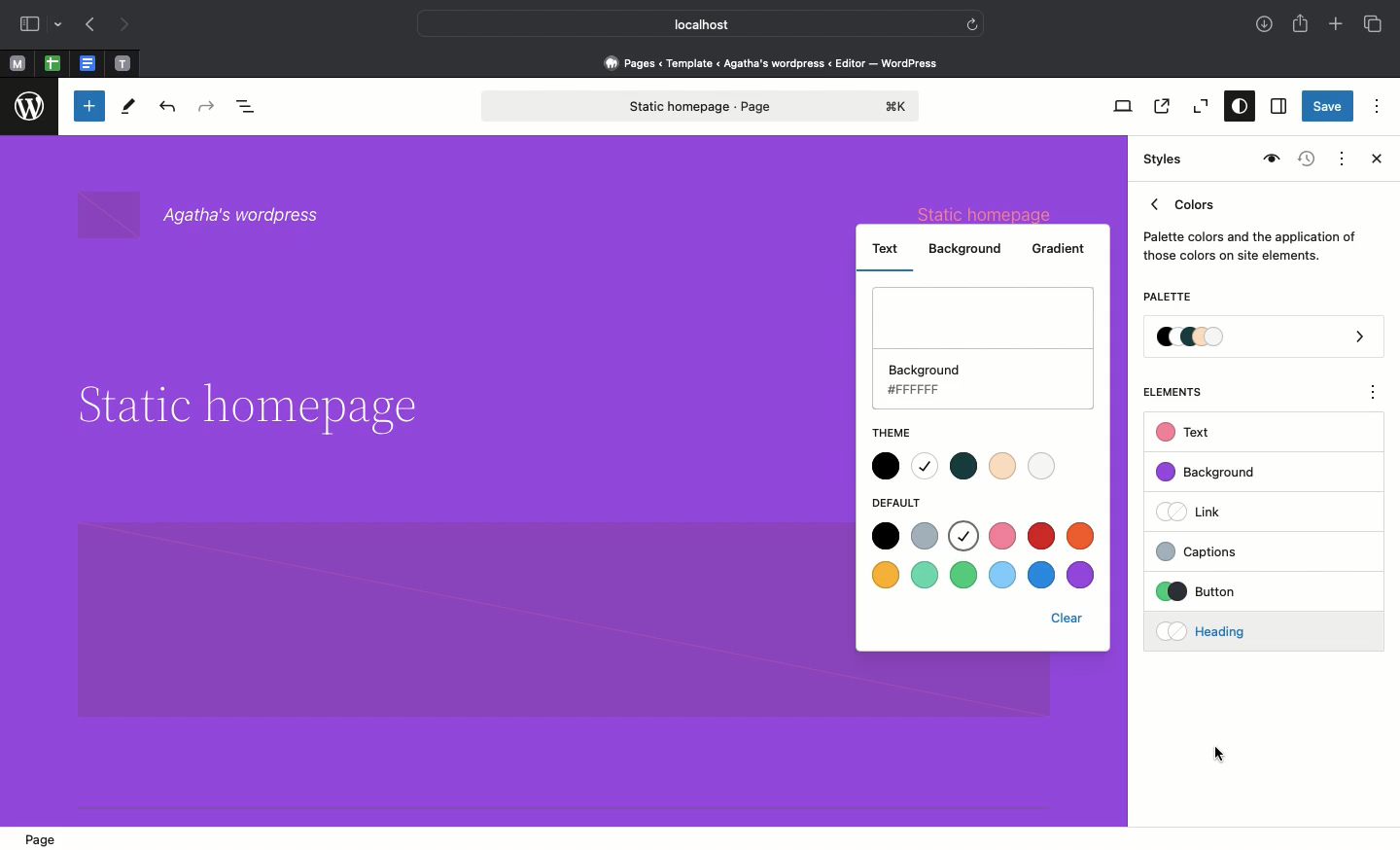  I want to click on Downloads, so click(1266, 26).